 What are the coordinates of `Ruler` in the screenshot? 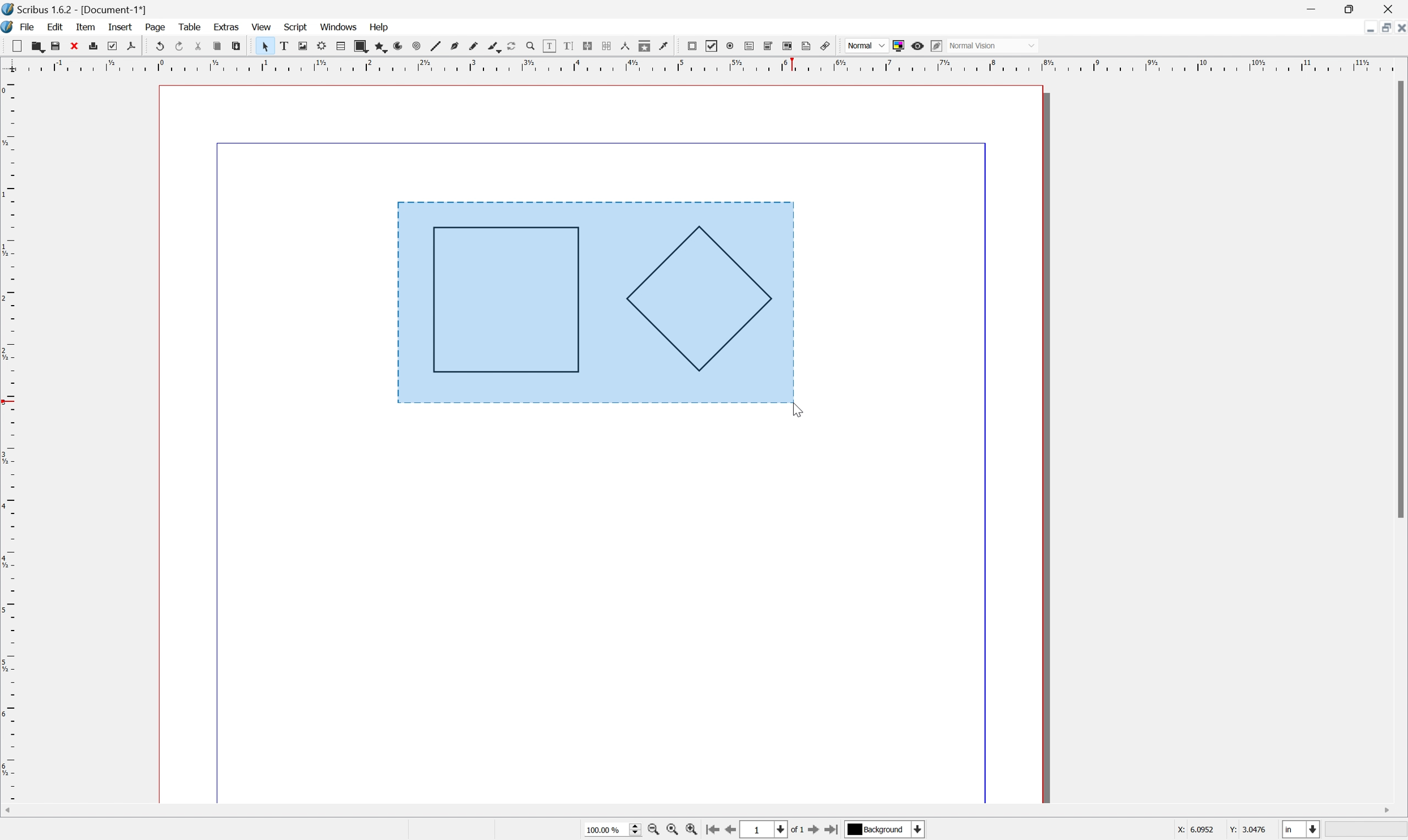 It's located at (9, 437).